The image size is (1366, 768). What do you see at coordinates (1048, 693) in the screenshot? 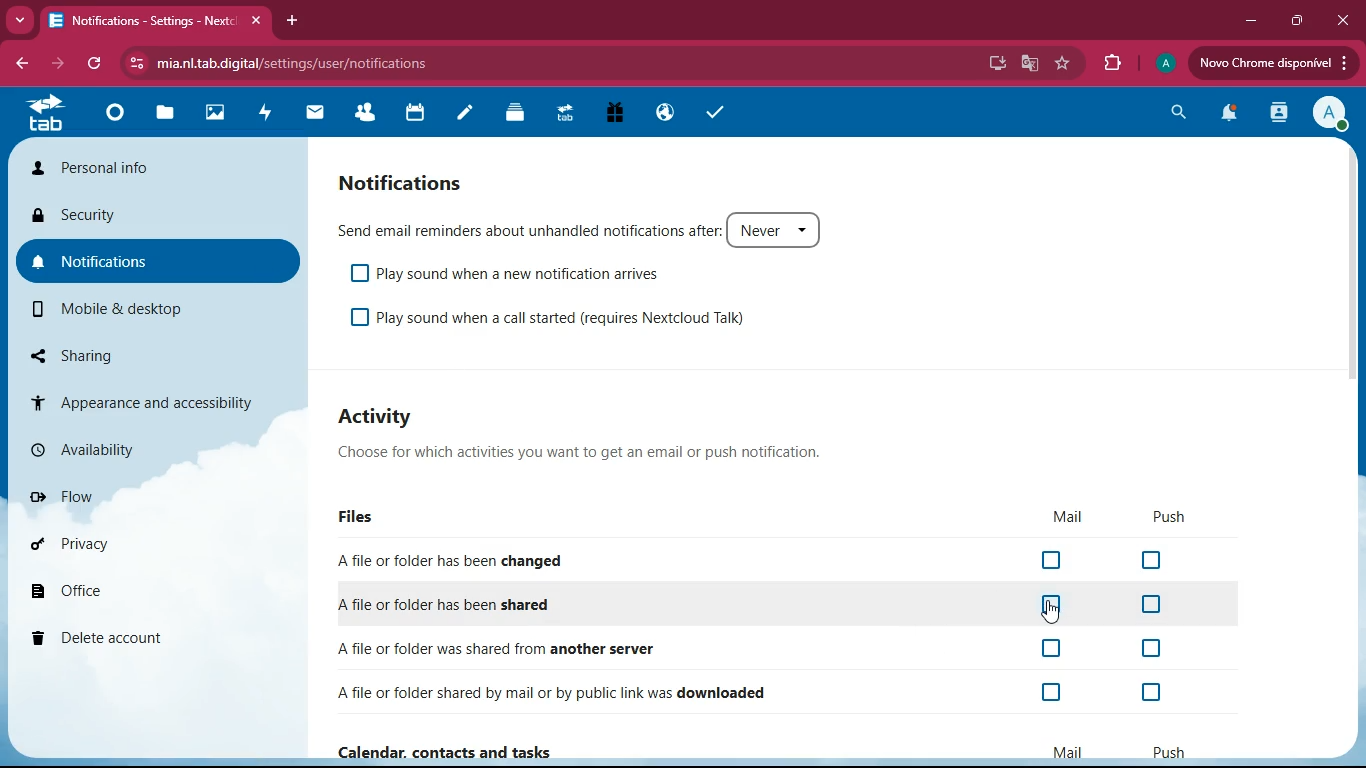
I see `off` at bounding box center [1048, 693].